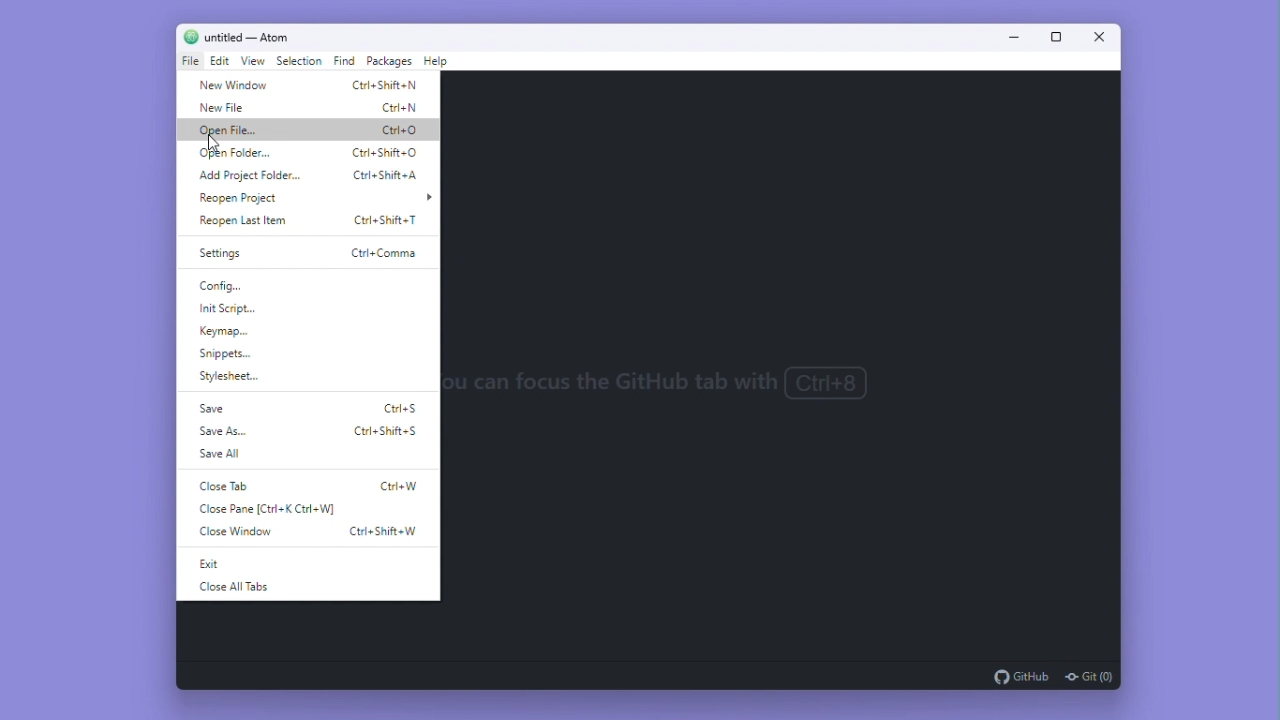  Describe the element at coordinates (312, 132) in the screenshot. I see `Open file ctrl+O` at that location.